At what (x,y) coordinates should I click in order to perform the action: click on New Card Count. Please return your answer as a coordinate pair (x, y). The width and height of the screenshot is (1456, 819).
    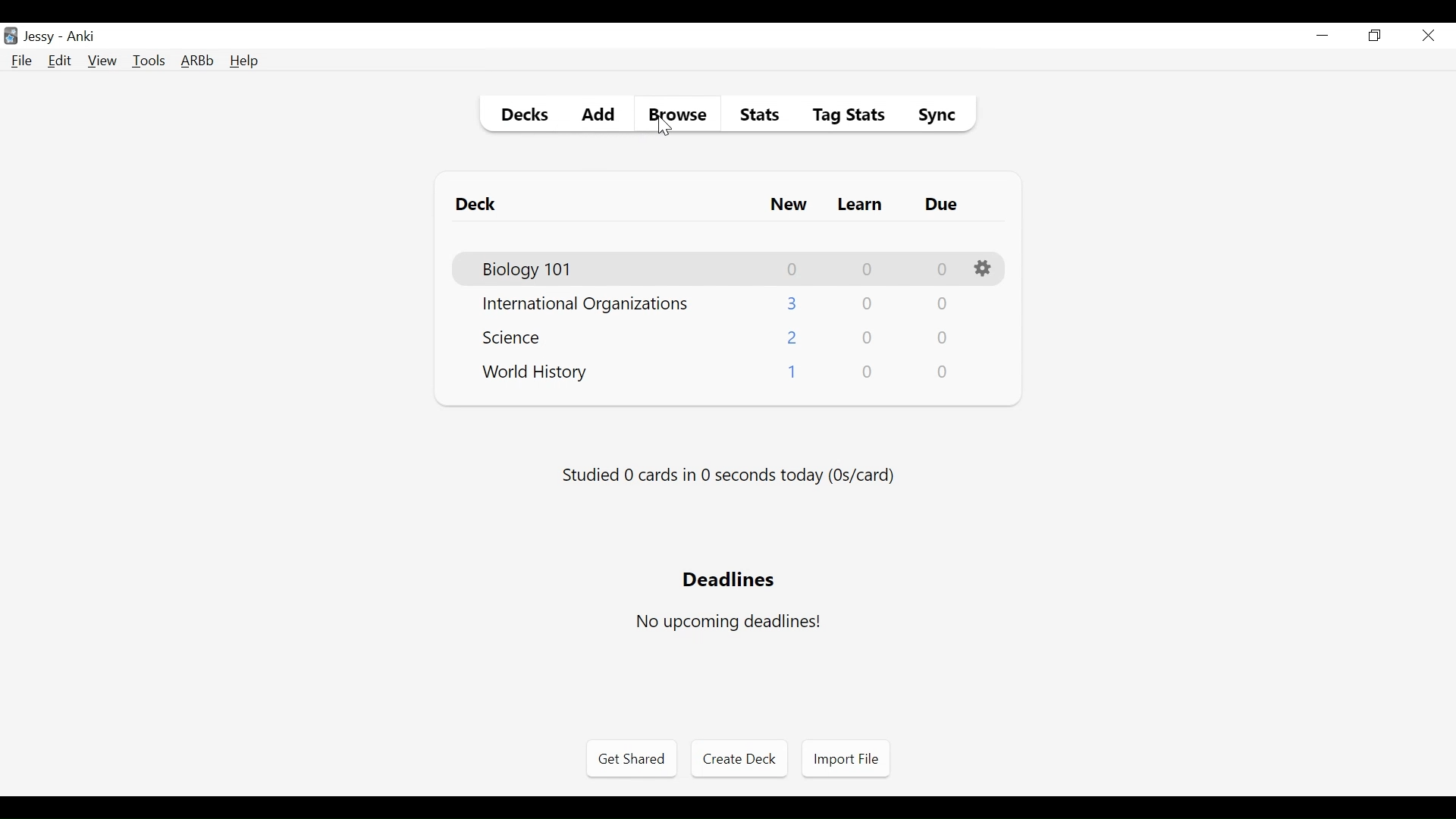
    Looking at the image, I should click on (793, 269).